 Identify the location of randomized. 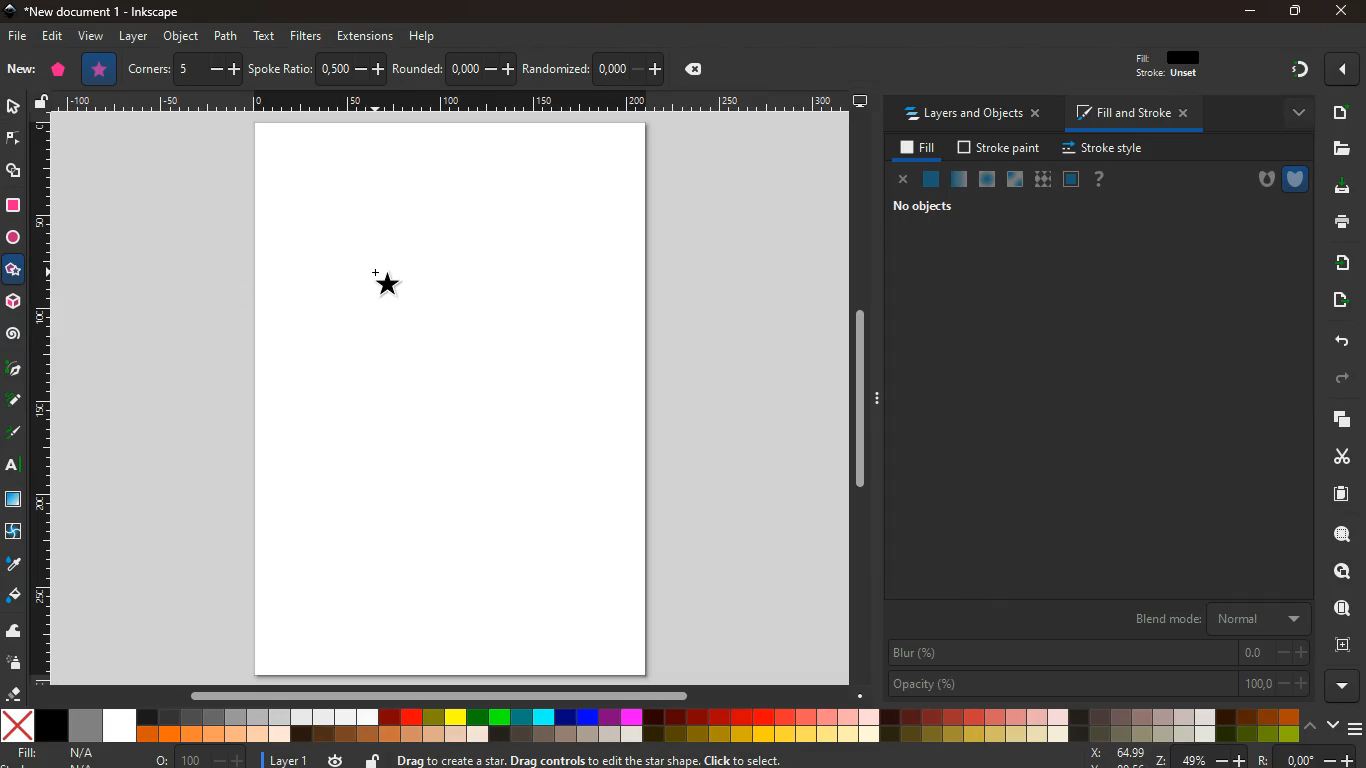
(593, 67).